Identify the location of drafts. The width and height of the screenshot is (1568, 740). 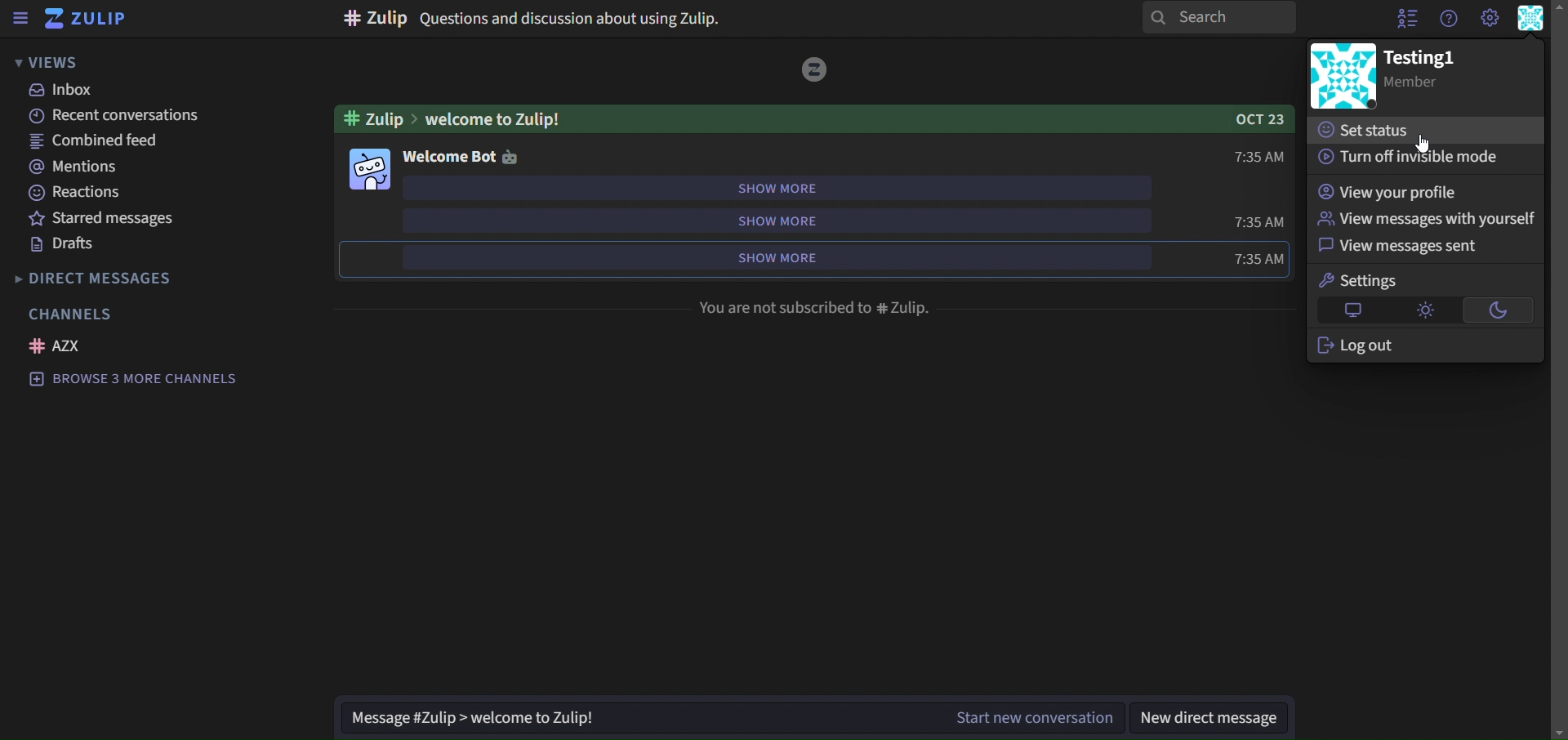
(67, 246).